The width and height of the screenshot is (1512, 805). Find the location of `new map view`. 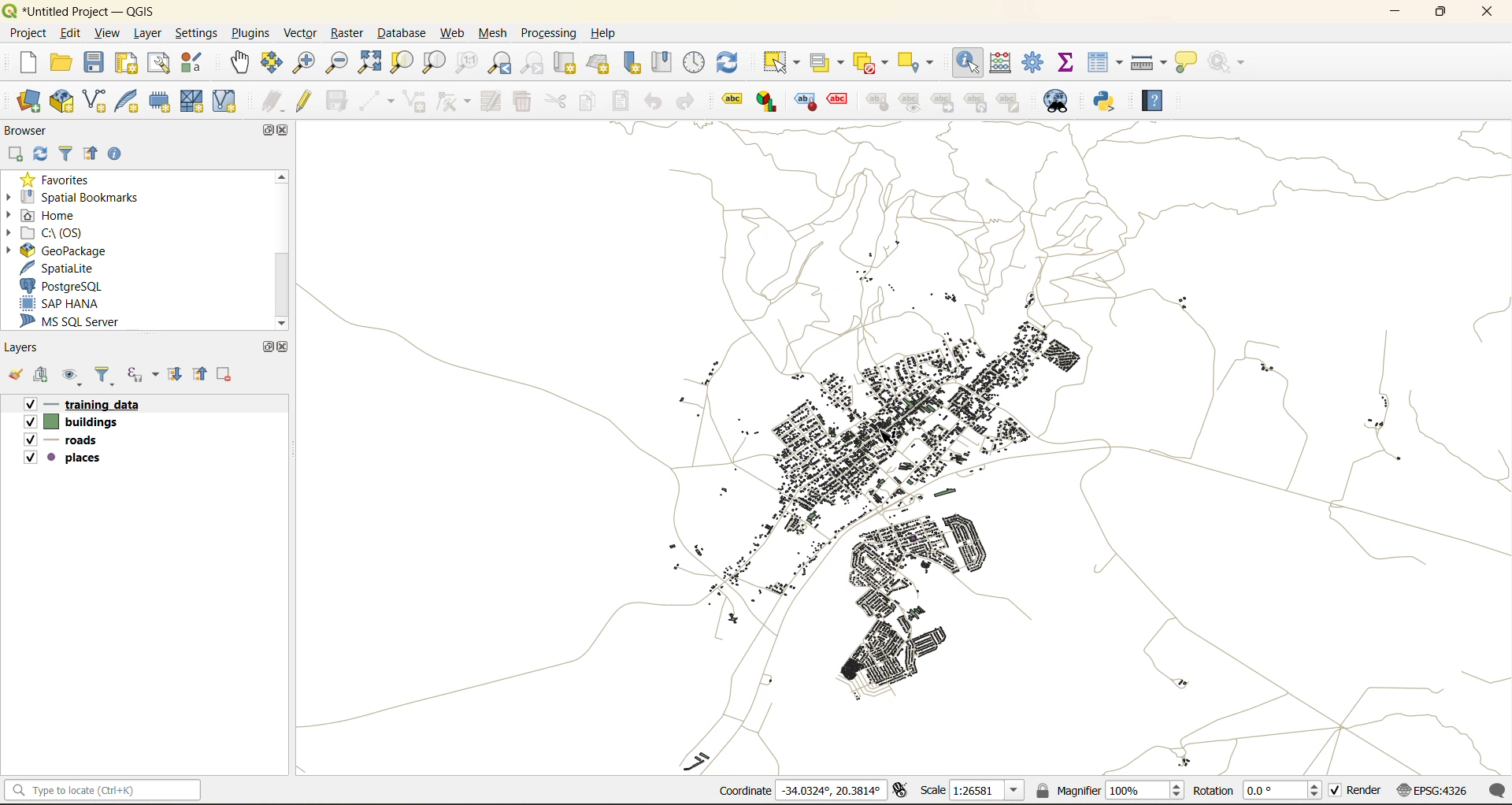

new map view is located at coordinates (565, 65).